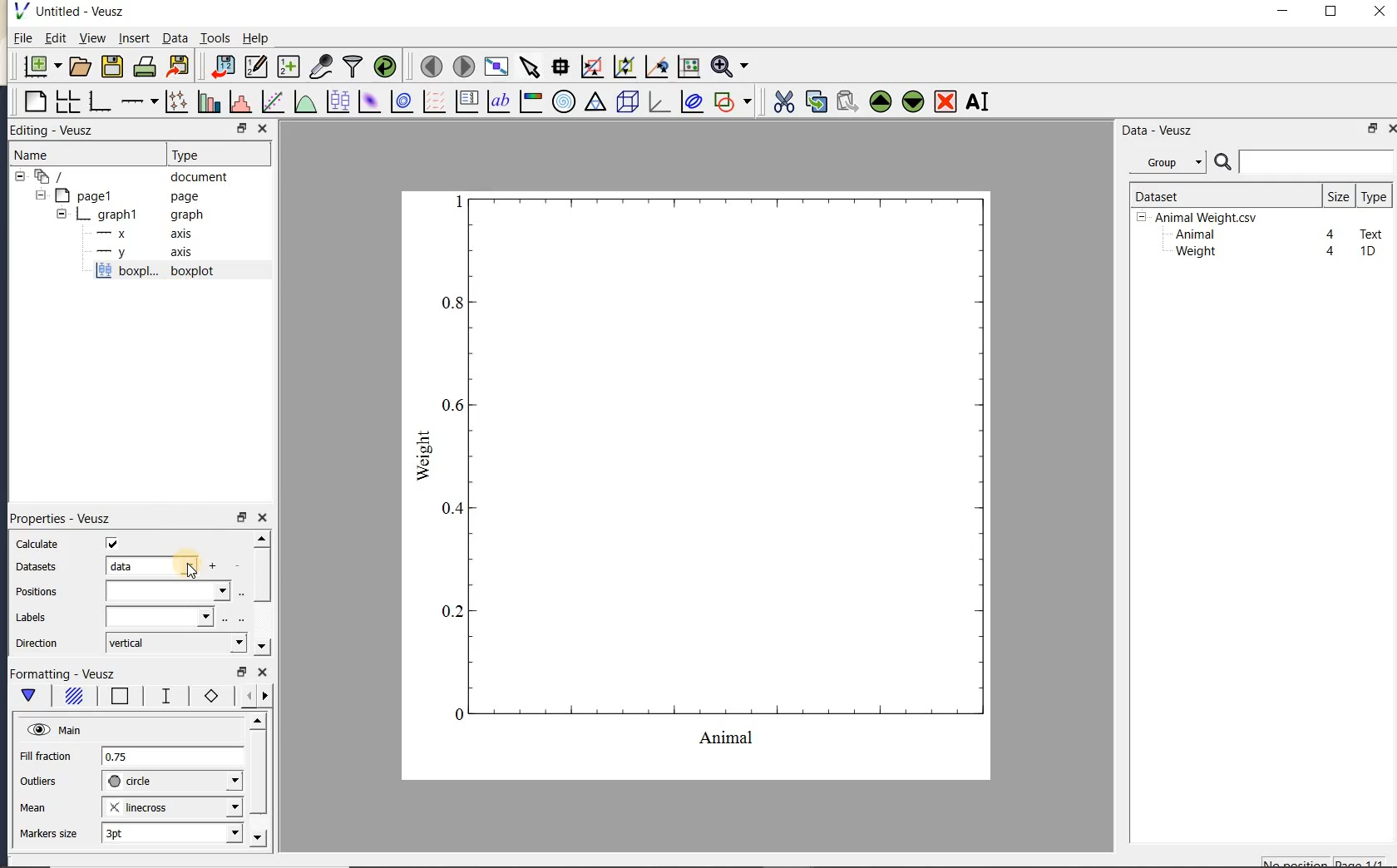 The width and height of the screenshot is (1397, 868). I want to click on print the document, so click(145, 67).